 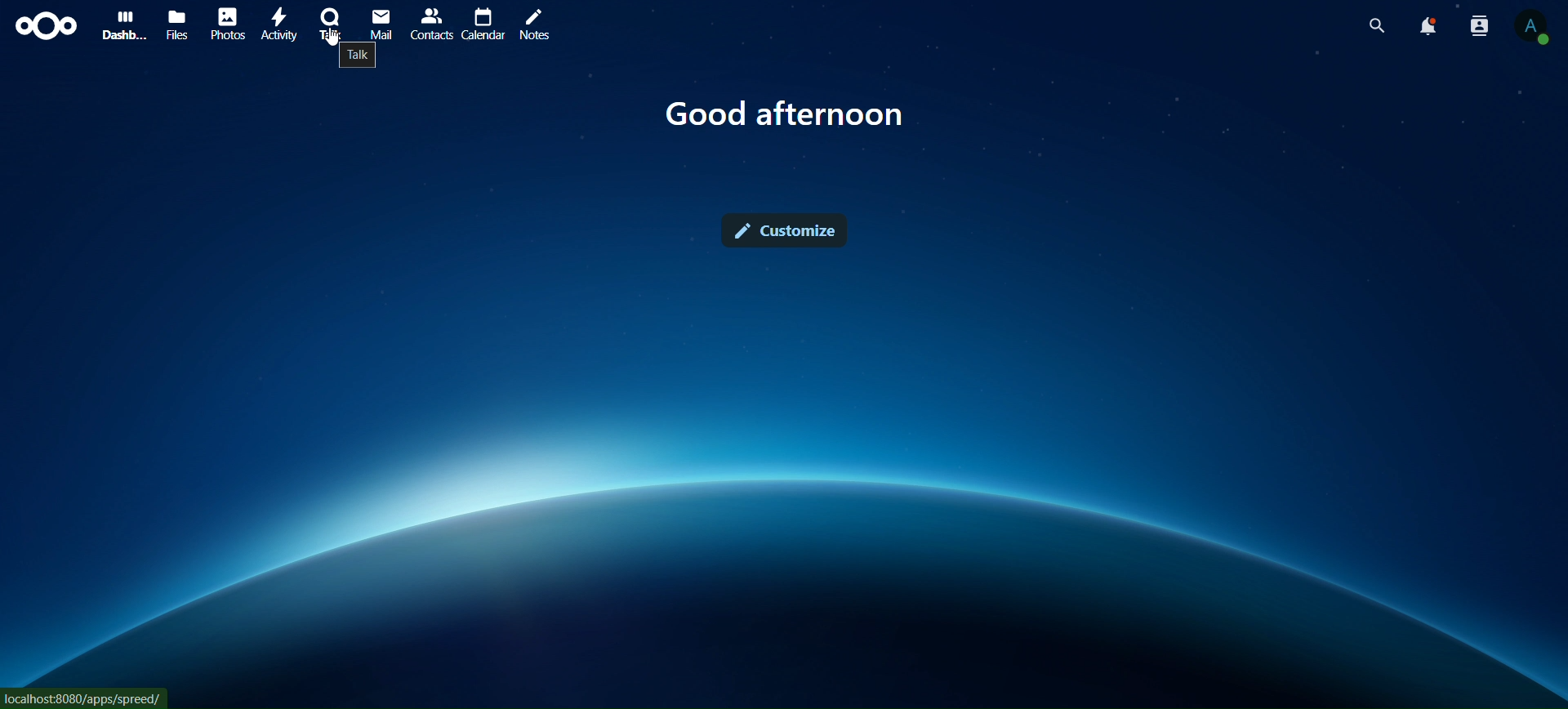 What do you see at coordinates (786, 117) in the screenshot?
I see `text` at bounding box center [786, 117].